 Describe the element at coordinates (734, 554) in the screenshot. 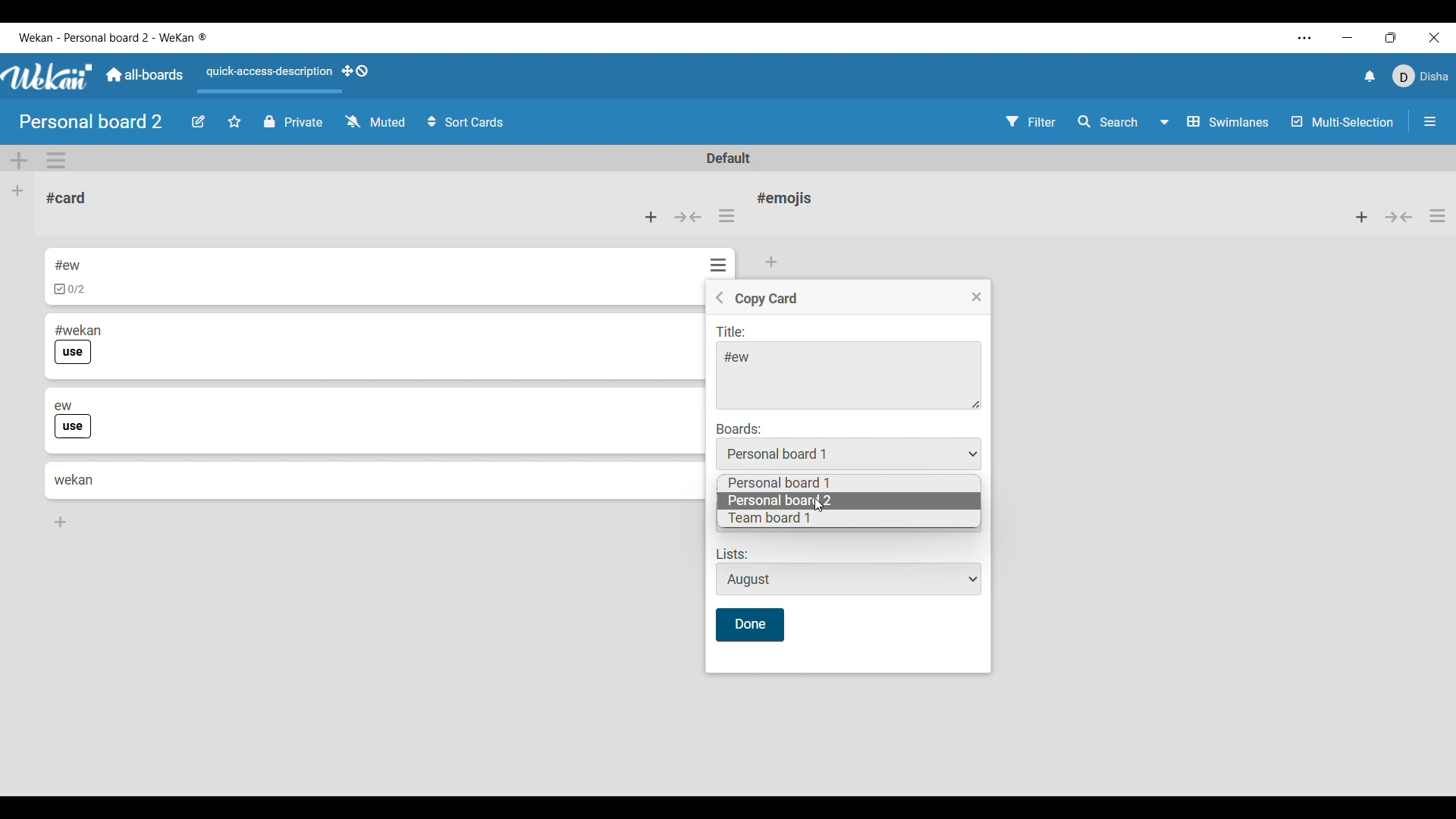

I see `Indicates lists` at that location.